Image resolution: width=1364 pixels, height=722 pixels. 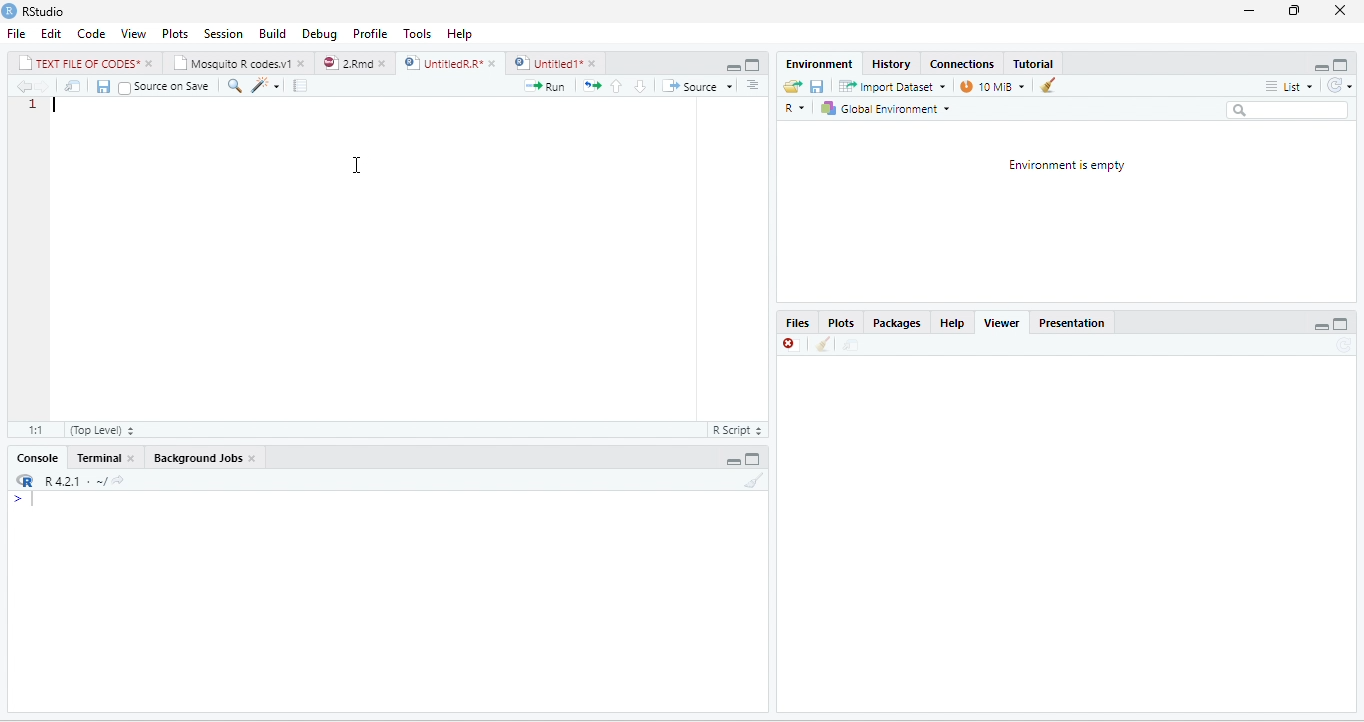 What do you see at coordinates (97, 459) in the screenshot?
I see `Terminal` at bounding box center [97, 459].